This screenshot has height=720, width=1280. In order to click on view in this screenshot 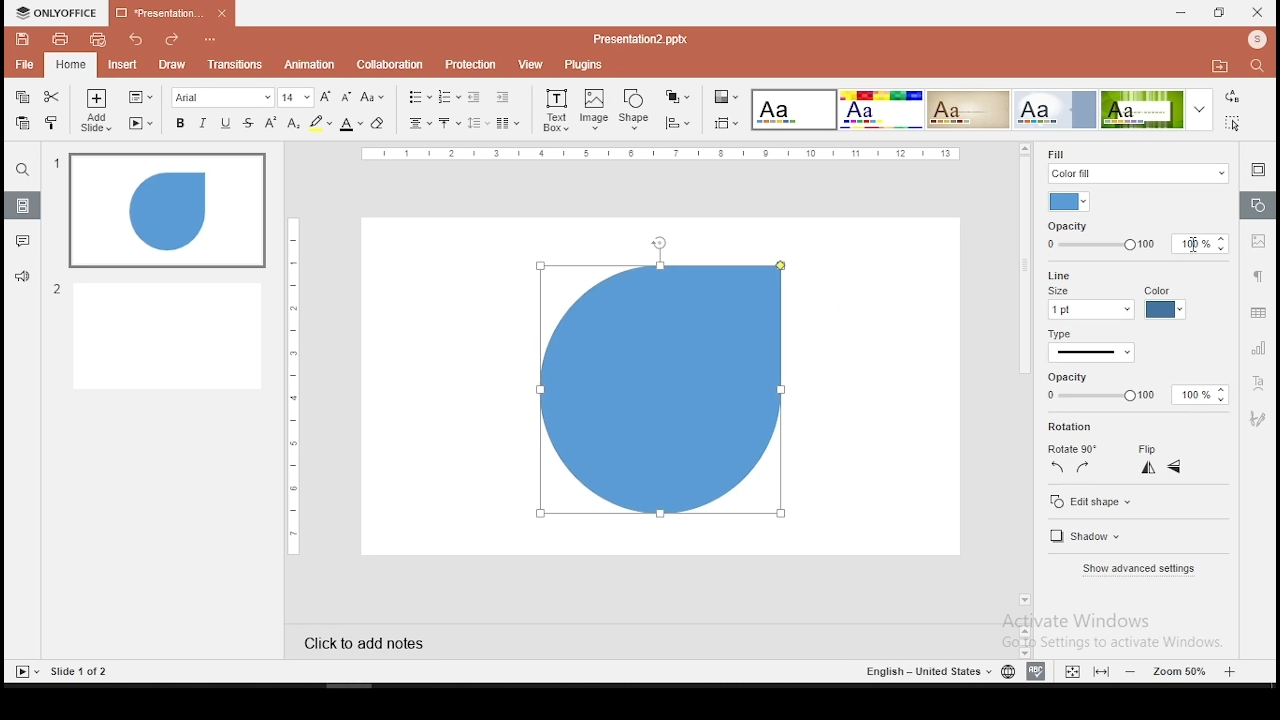, I will do `click(530, 64)`.